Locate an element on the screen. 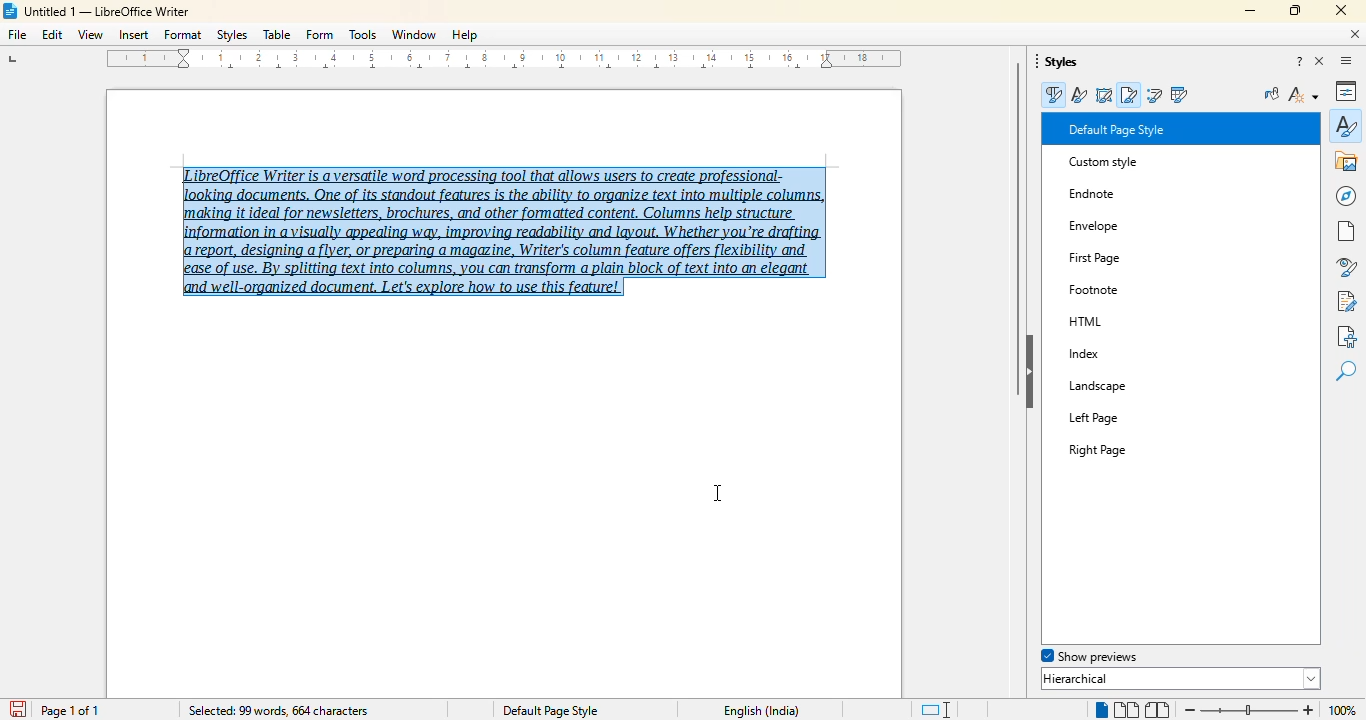 This screenshot has height=720, width=1366. show previews is located at coordinates (1087, 656).